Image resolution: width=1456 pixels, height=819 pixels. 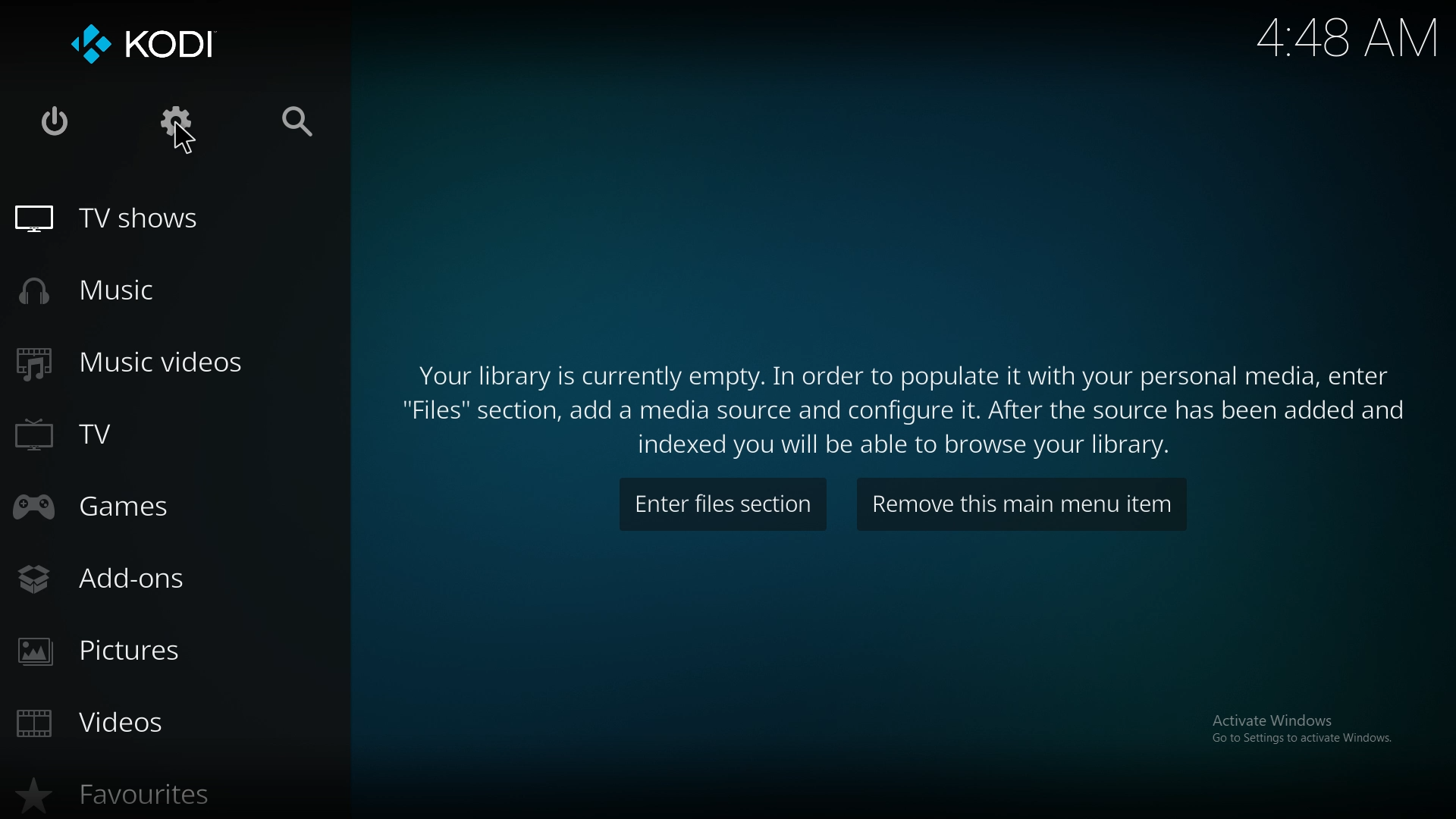 I want to click on remove item, so click(x=1024, y=505).